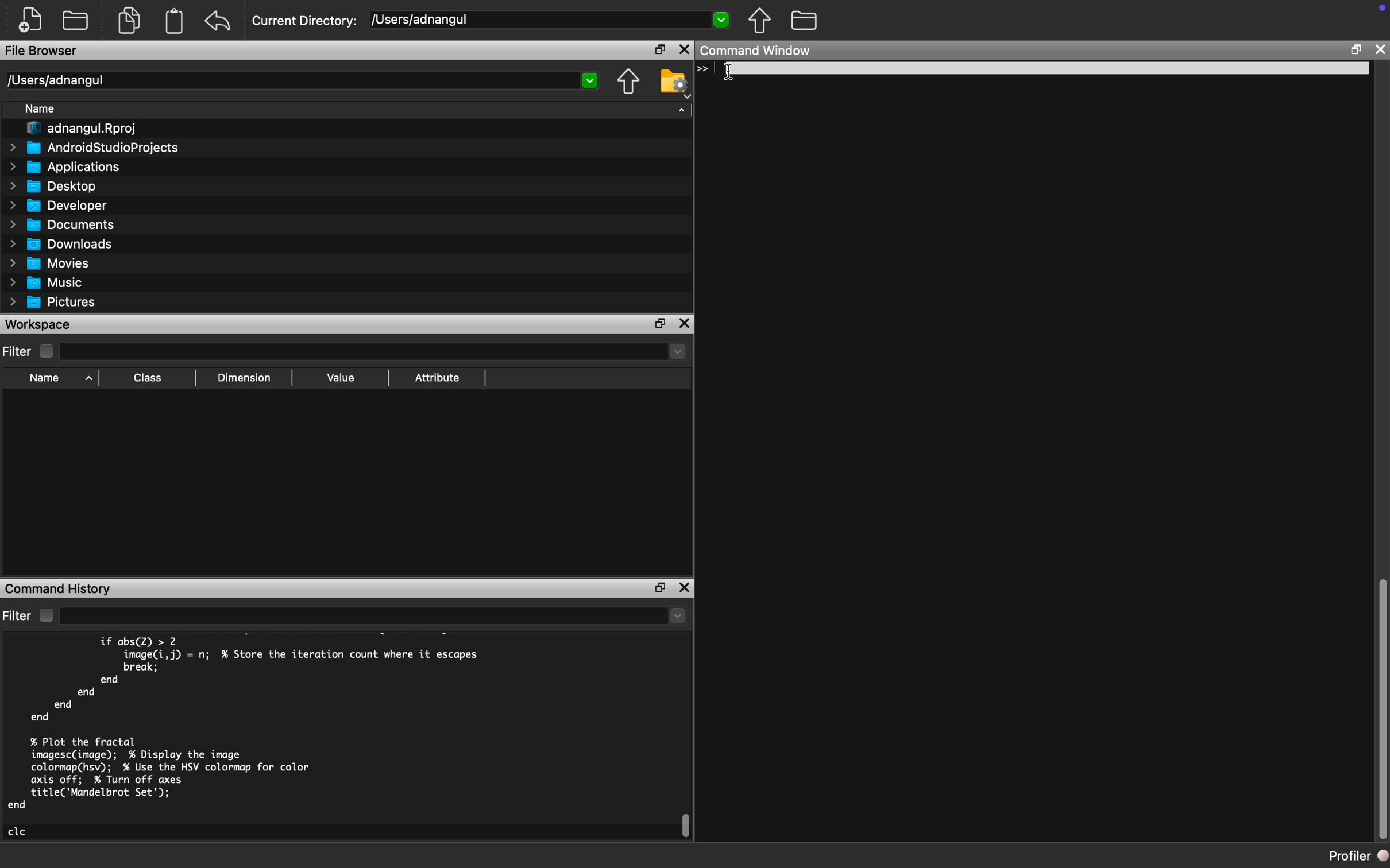 This screenshot has height=868, width=1390. What do you see at coordinates (45, 615) in the screenshot?
I see `Checkbox` at bounding box center [45, 615].